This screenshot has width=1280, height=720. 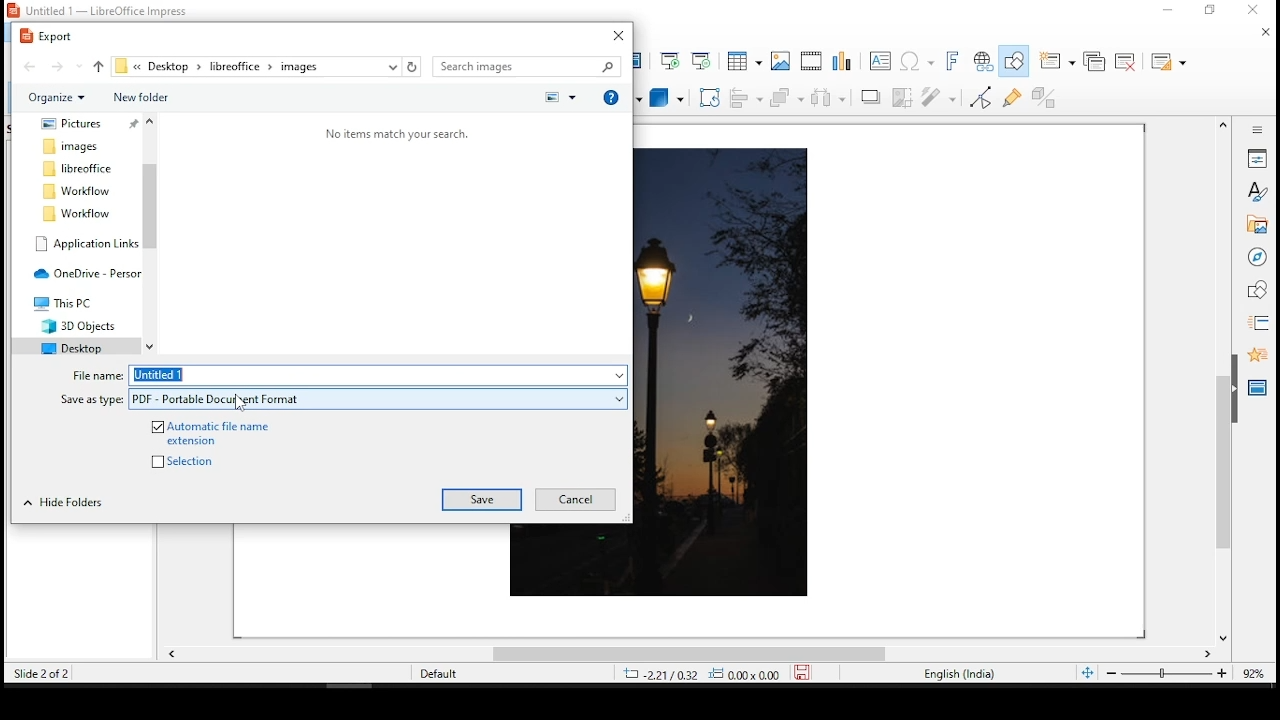 I want to click on selection, so click(x=194, y=460).